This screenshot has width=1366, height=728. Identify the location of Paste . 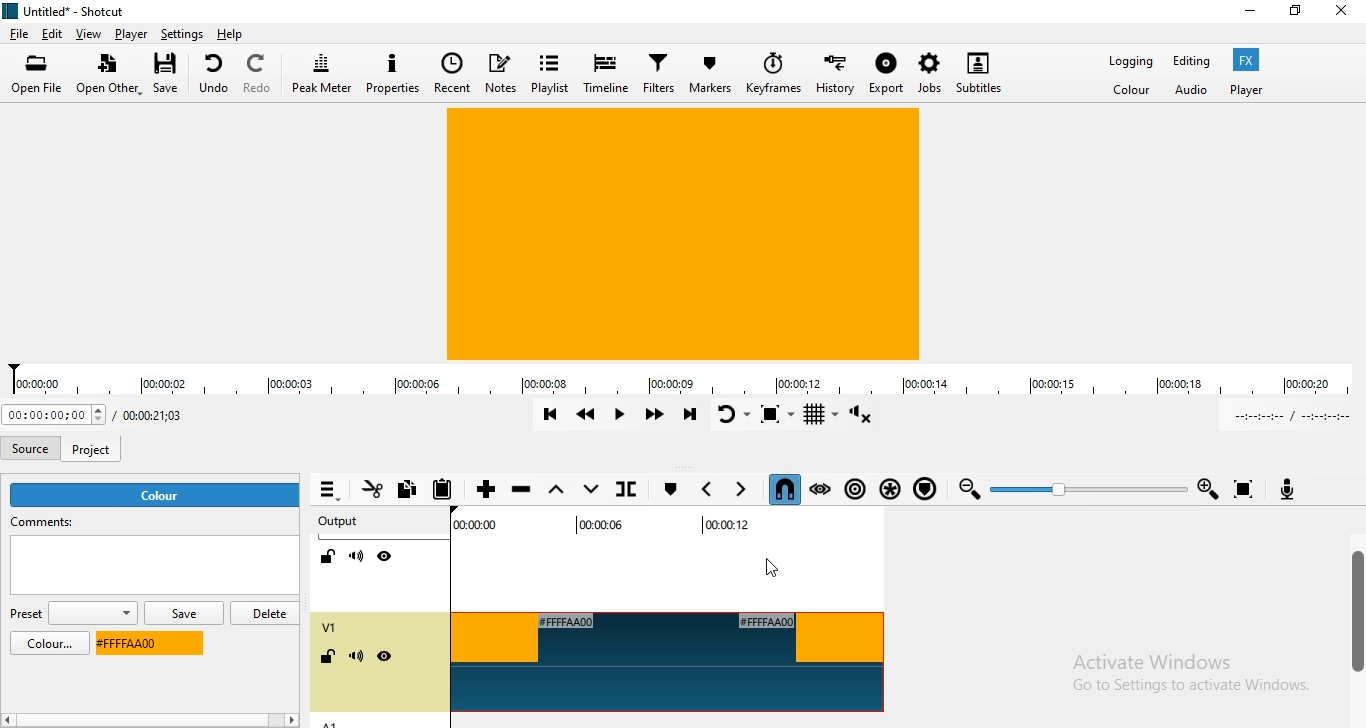
(448, 490).